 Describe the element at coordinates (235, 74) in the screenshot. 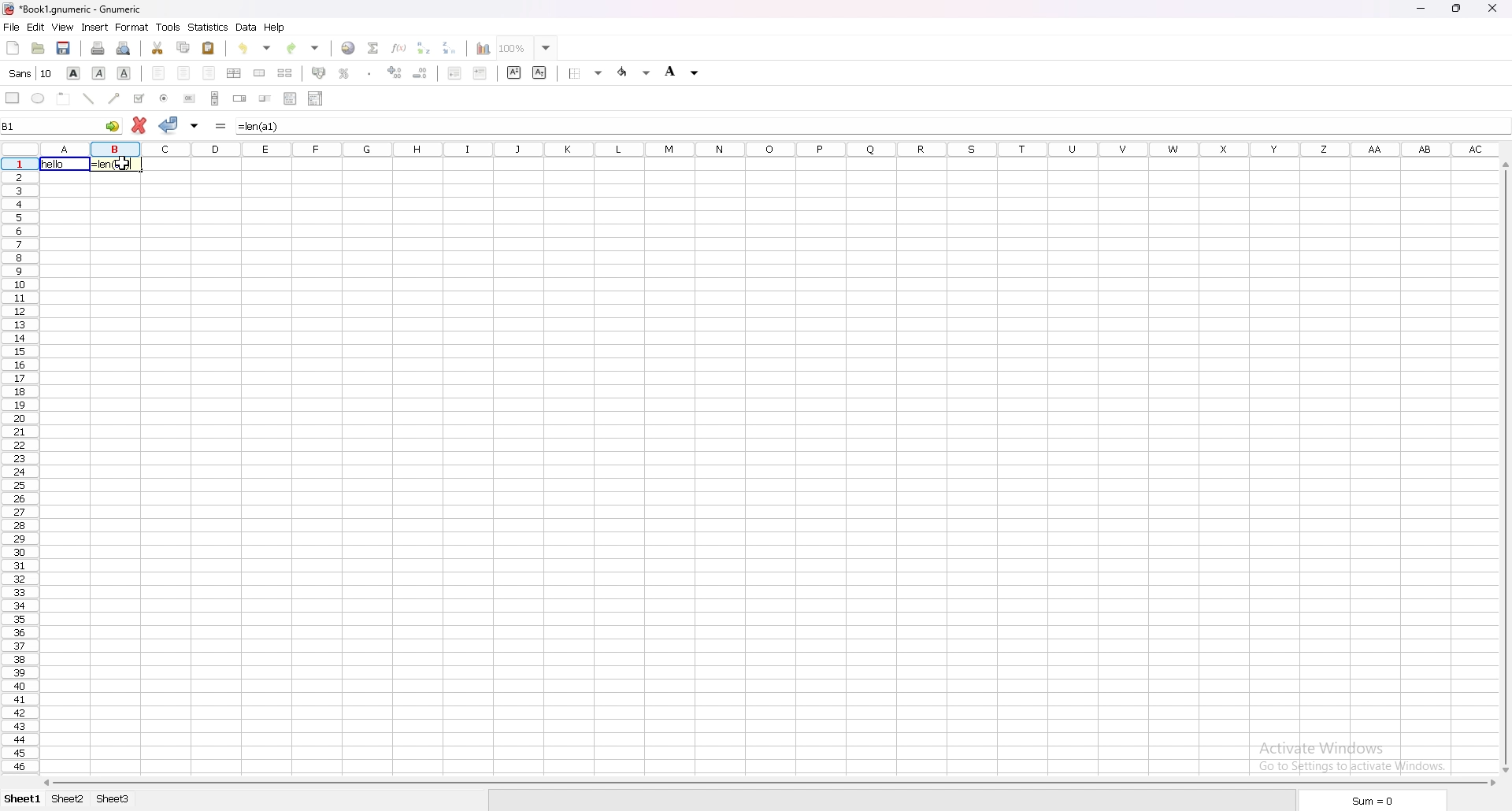

I see `center horizontal` at that location.